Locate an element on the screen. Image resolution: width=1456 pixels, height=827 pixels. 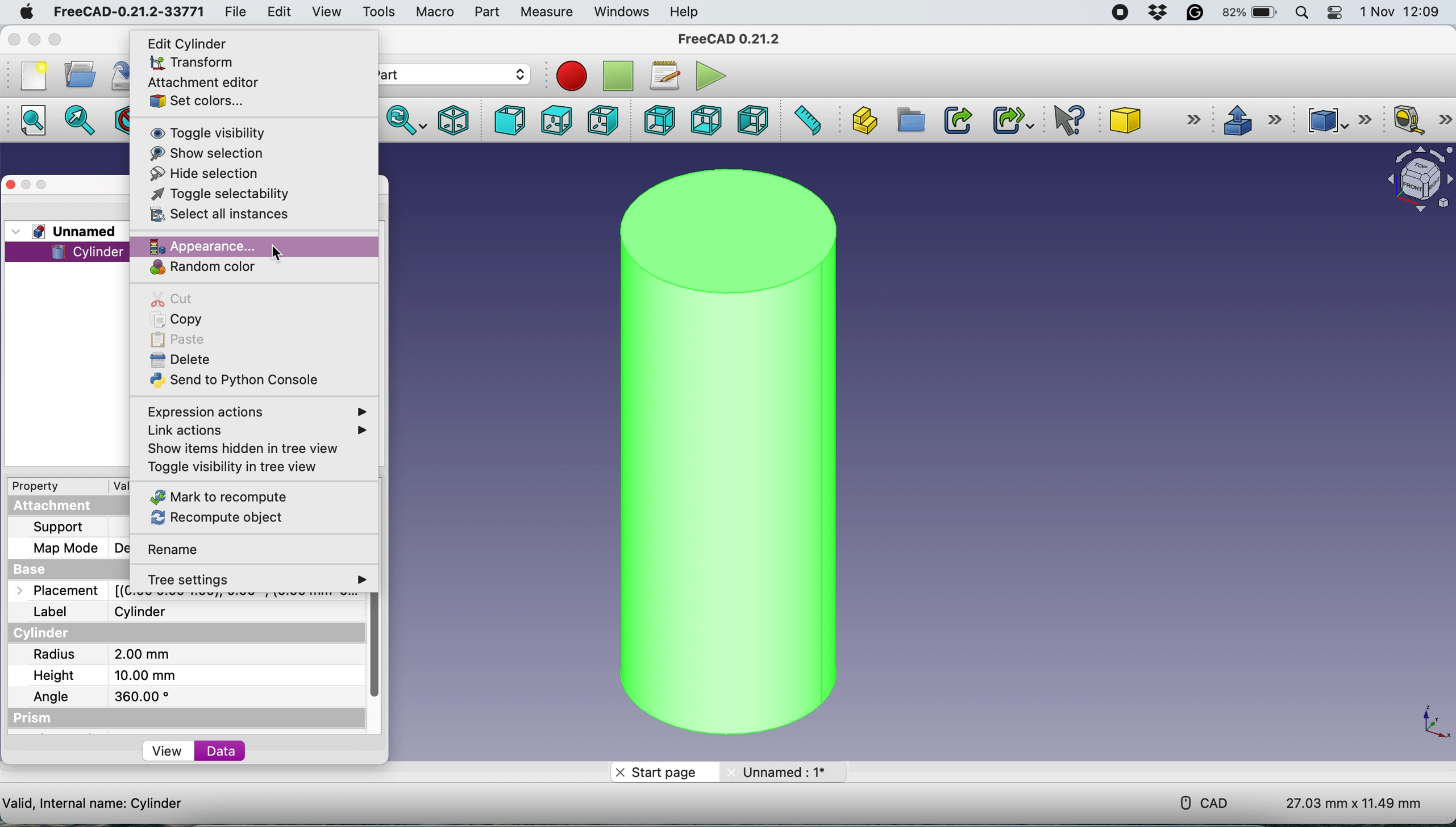
property is located at coordinates (38, 488).